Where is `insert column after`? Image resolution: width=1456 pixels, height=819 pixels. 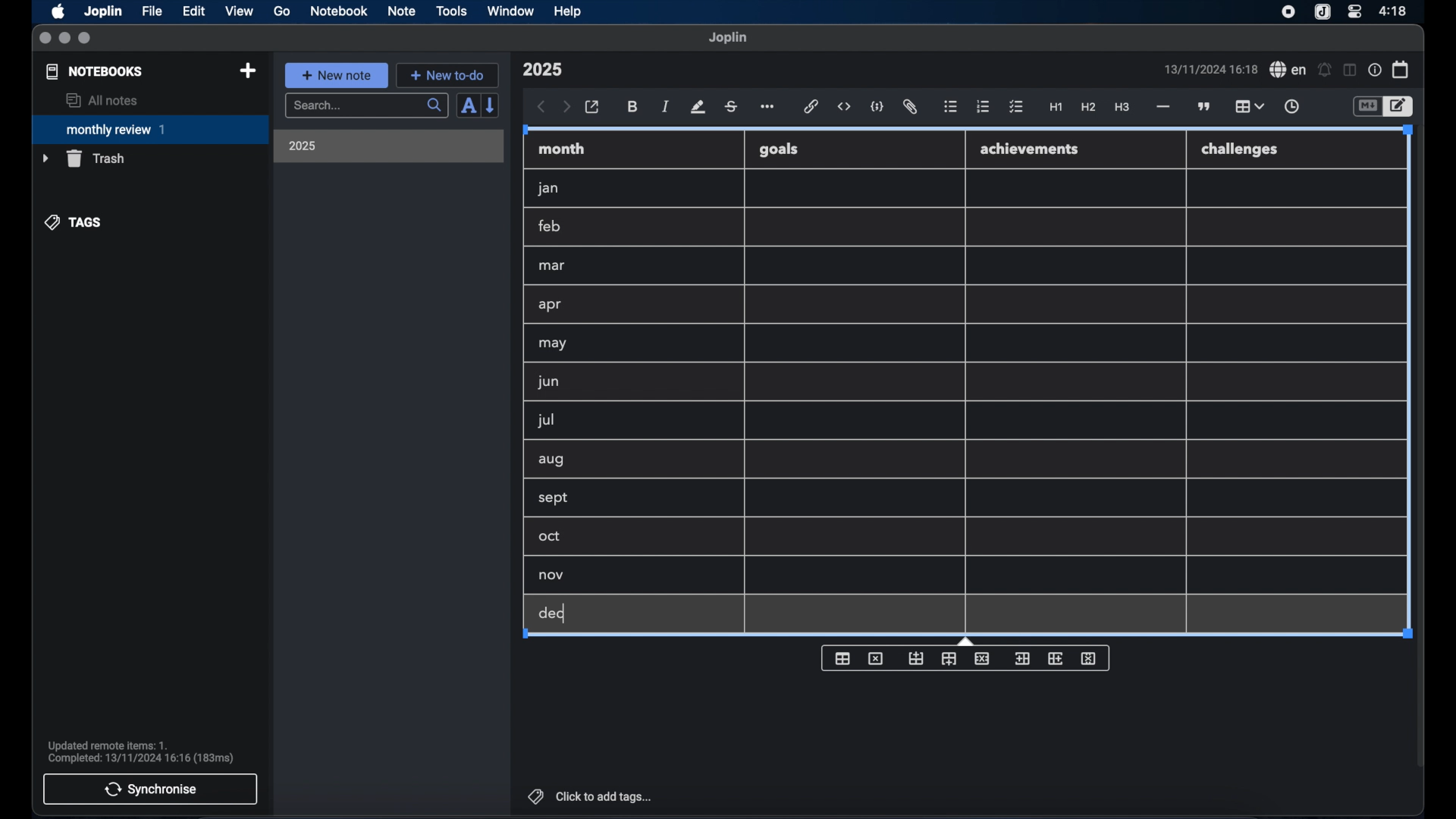 insert column after is located at coordinates (950, 659).